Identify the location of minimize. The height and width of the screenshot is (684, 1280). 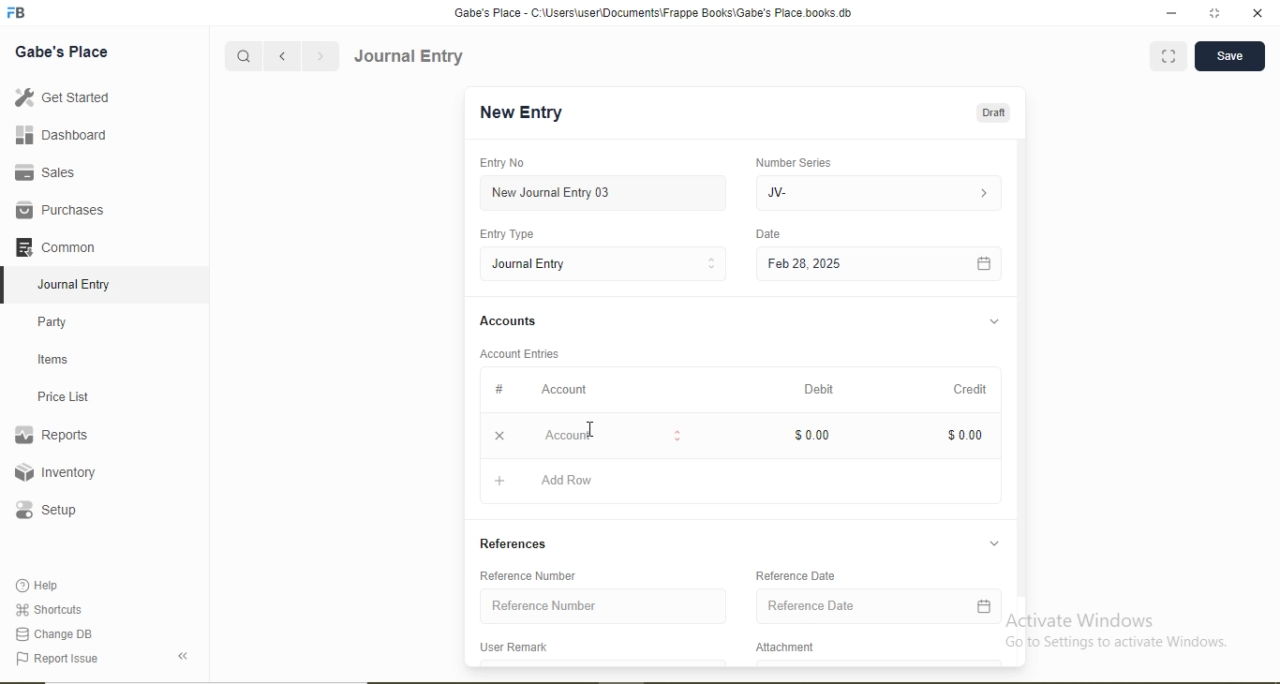
(1169, 14).